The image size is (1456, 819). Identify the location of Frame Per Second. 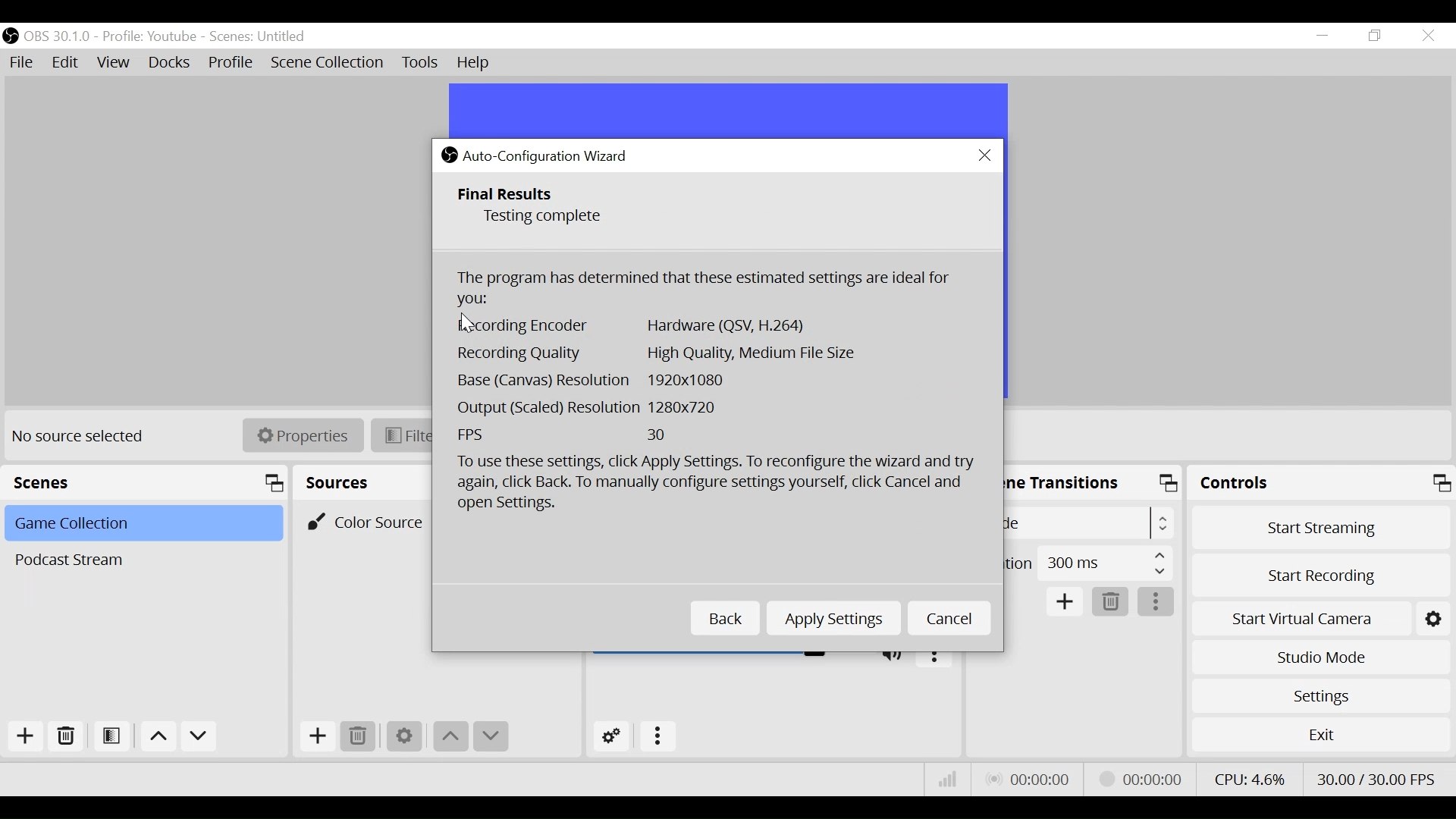
(620, 435).